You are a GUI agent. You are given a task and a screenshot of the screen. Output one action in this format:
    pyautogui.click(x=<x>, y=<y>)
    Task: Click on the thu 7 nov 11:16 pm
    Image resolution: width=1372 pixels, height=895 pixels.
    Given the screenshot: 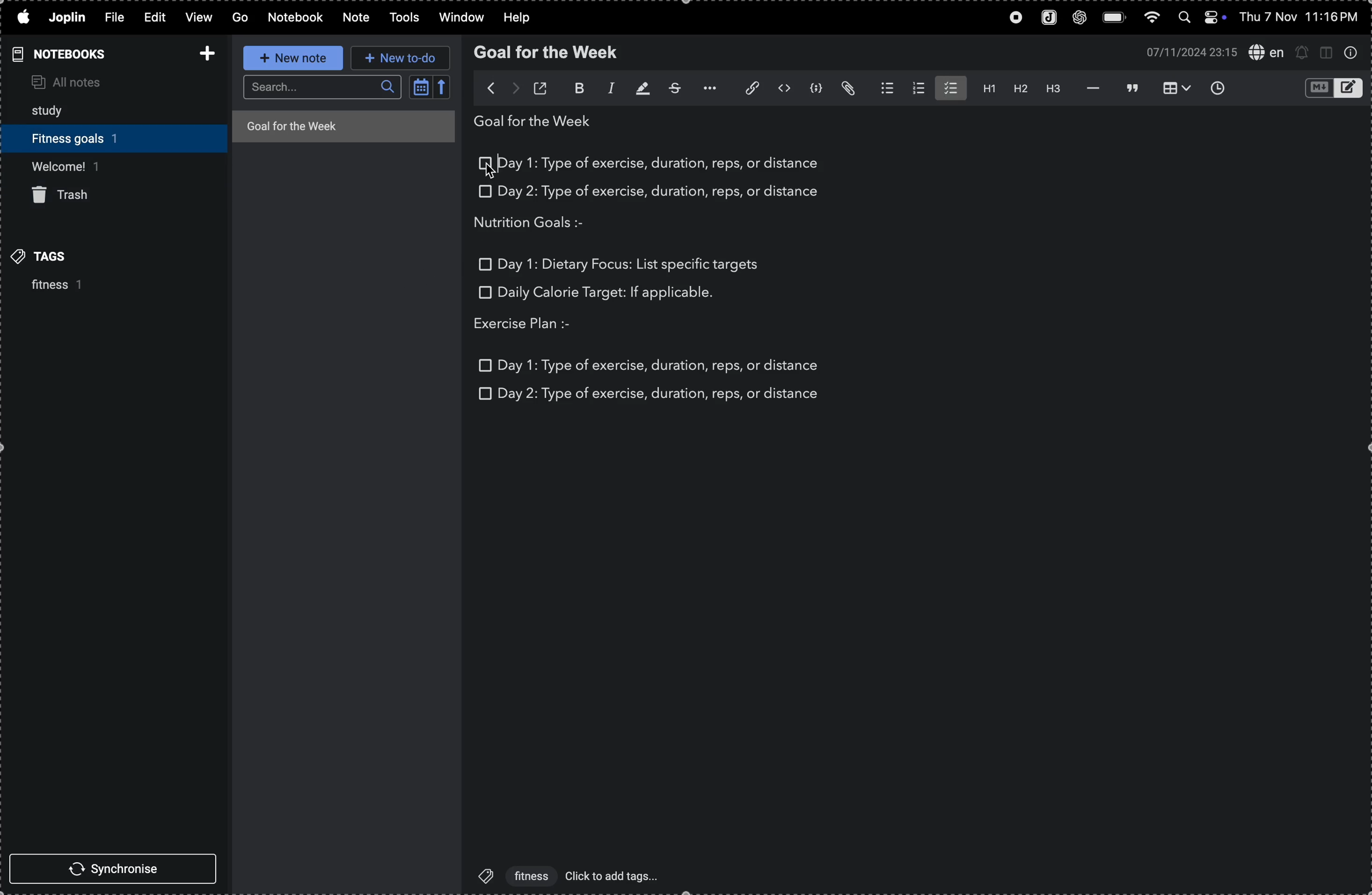 What is the action you would take?
    pyautogui.click(x=1304, y=17)
    